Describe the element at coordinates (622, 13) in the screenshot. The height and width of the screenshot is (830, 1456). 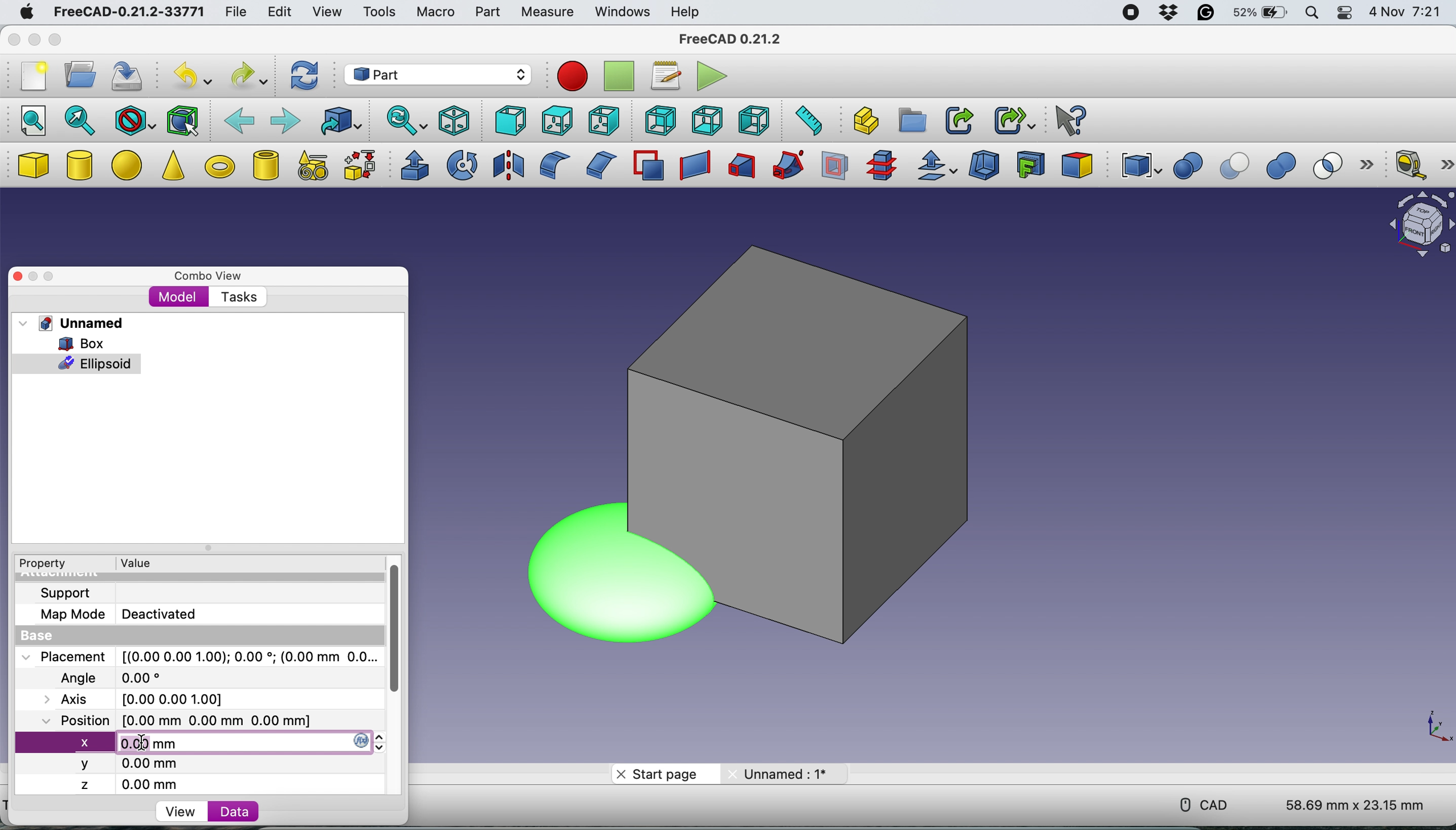
I see `windows` at that location.